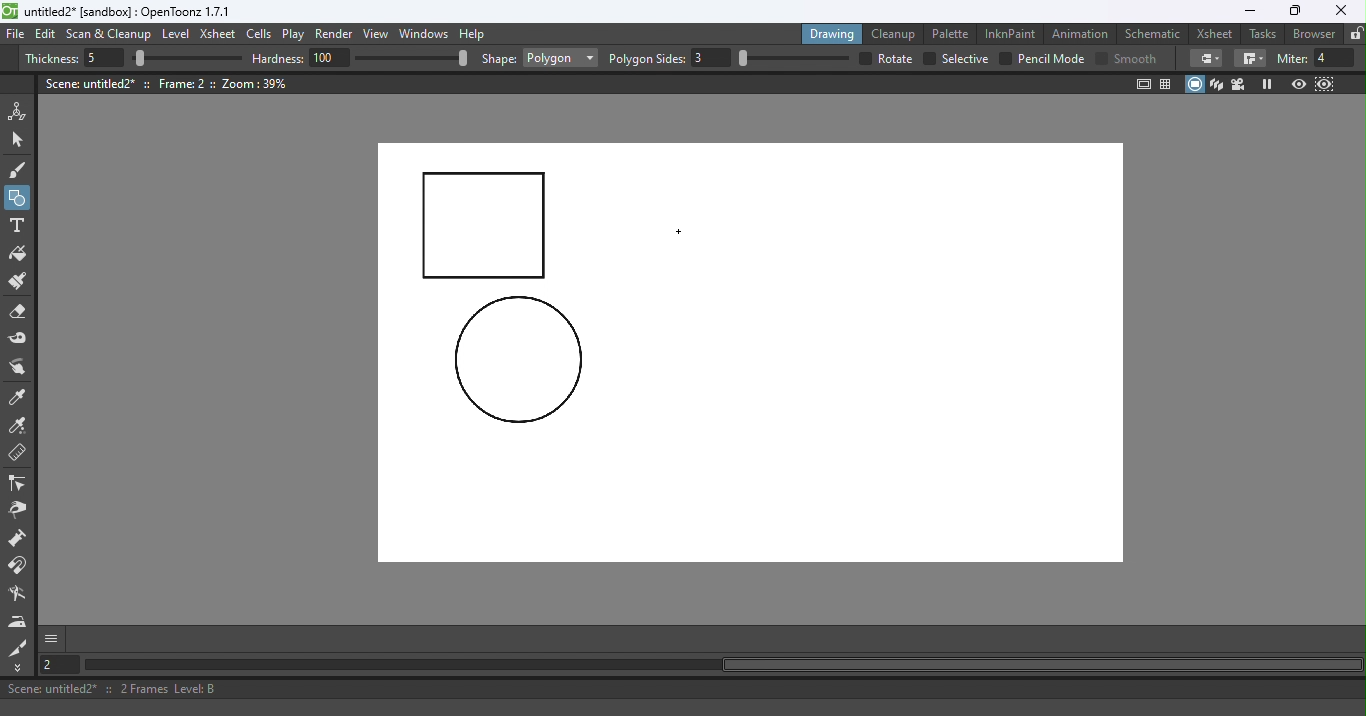 The width and height of the screenshot is (1366, 716). I want to click on Rectangle drawn, so click(485, 227).